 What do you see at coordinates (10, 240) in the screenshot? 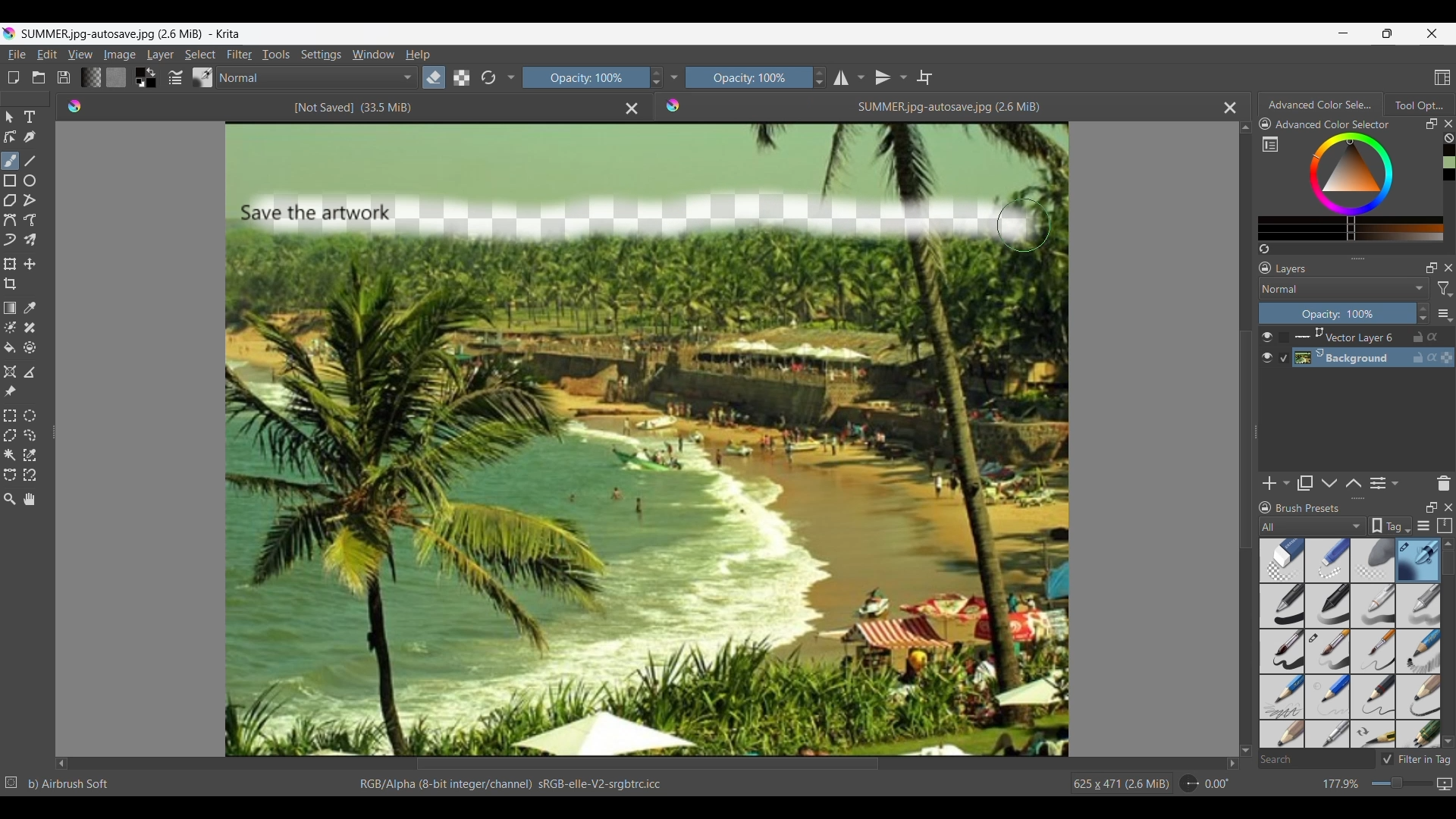
I see `Dynamic brush tool` at bounding box center [10, 240].